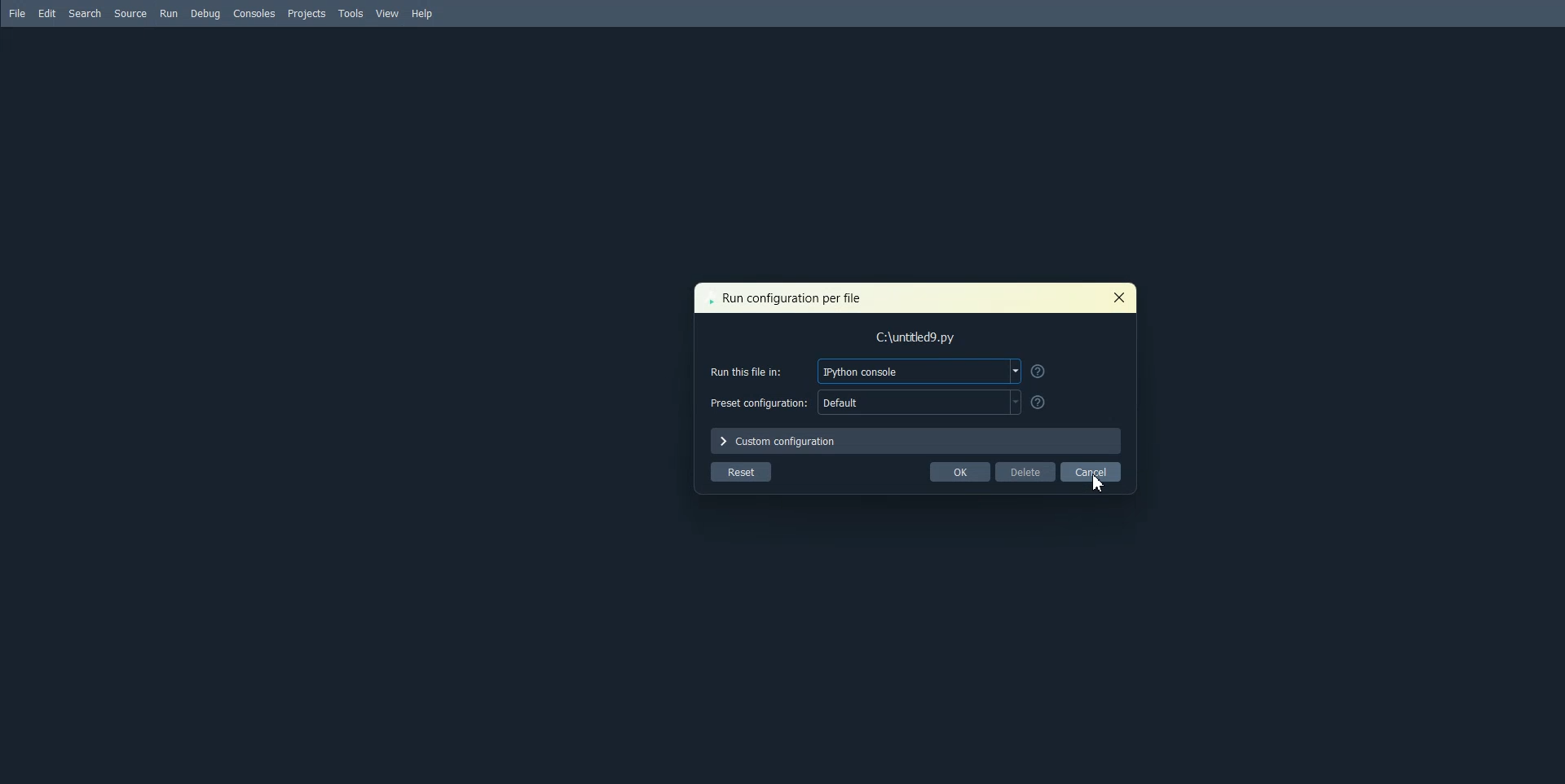 This screenshot has height=784, width=1565. What do you see at coordinates (169, 14) in the screenshot?
I see `Run` at bounding box center [169, 14].